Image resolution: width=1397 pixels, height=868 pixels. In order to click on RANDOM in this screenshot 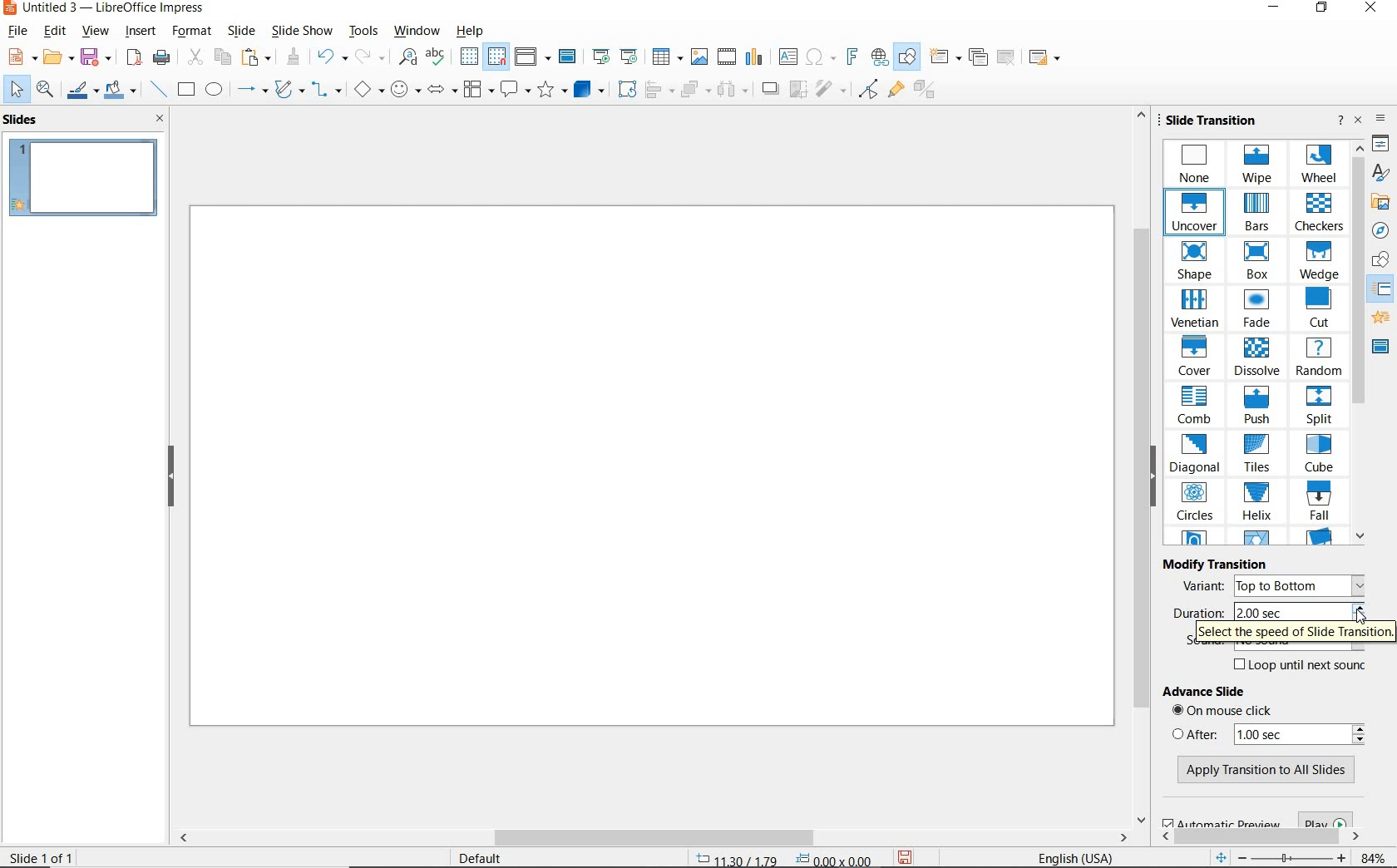, I will do `click(1320, 358)`.